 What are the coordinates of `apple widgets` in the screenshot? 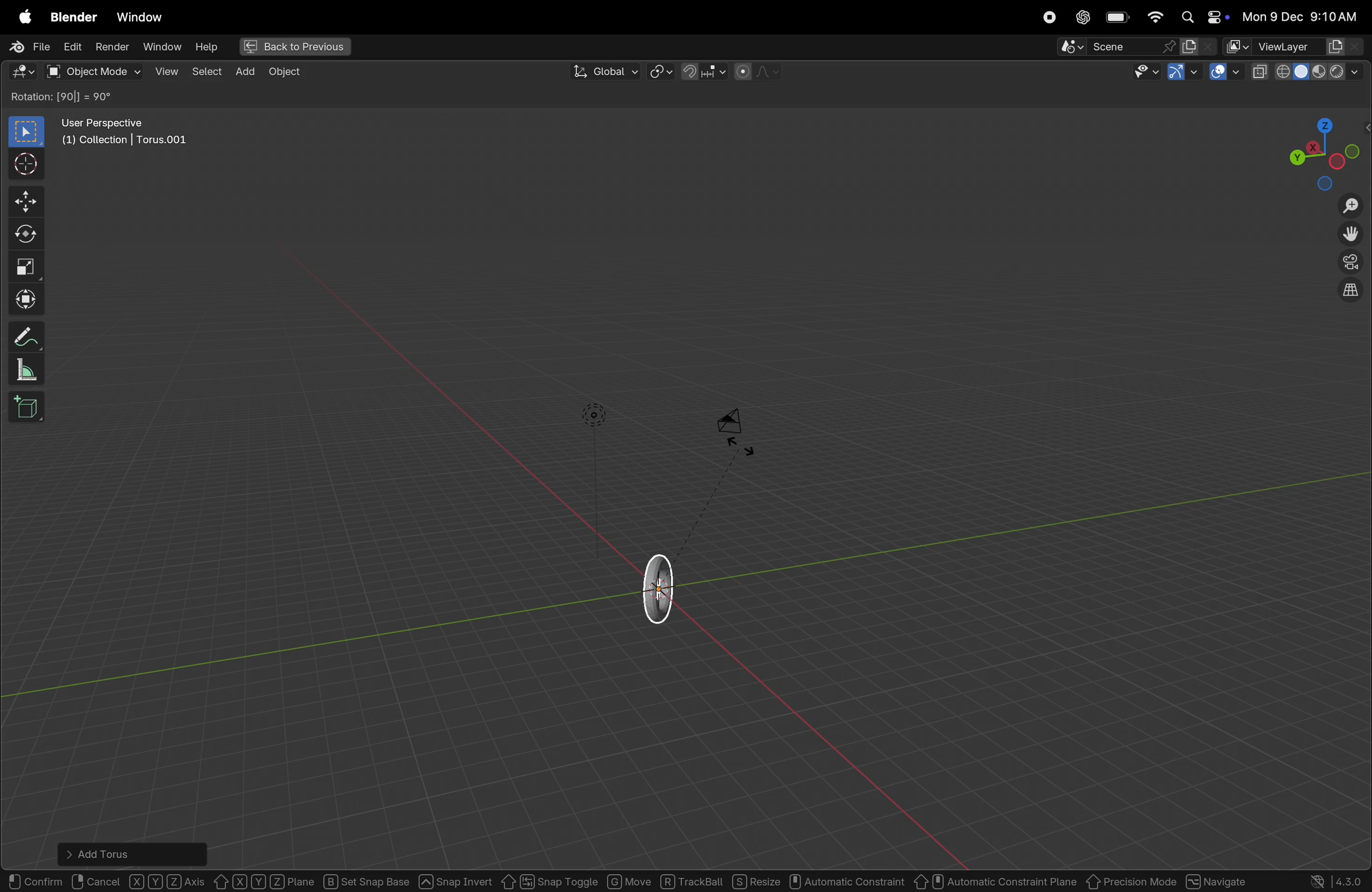 It's located at (1203, 18).